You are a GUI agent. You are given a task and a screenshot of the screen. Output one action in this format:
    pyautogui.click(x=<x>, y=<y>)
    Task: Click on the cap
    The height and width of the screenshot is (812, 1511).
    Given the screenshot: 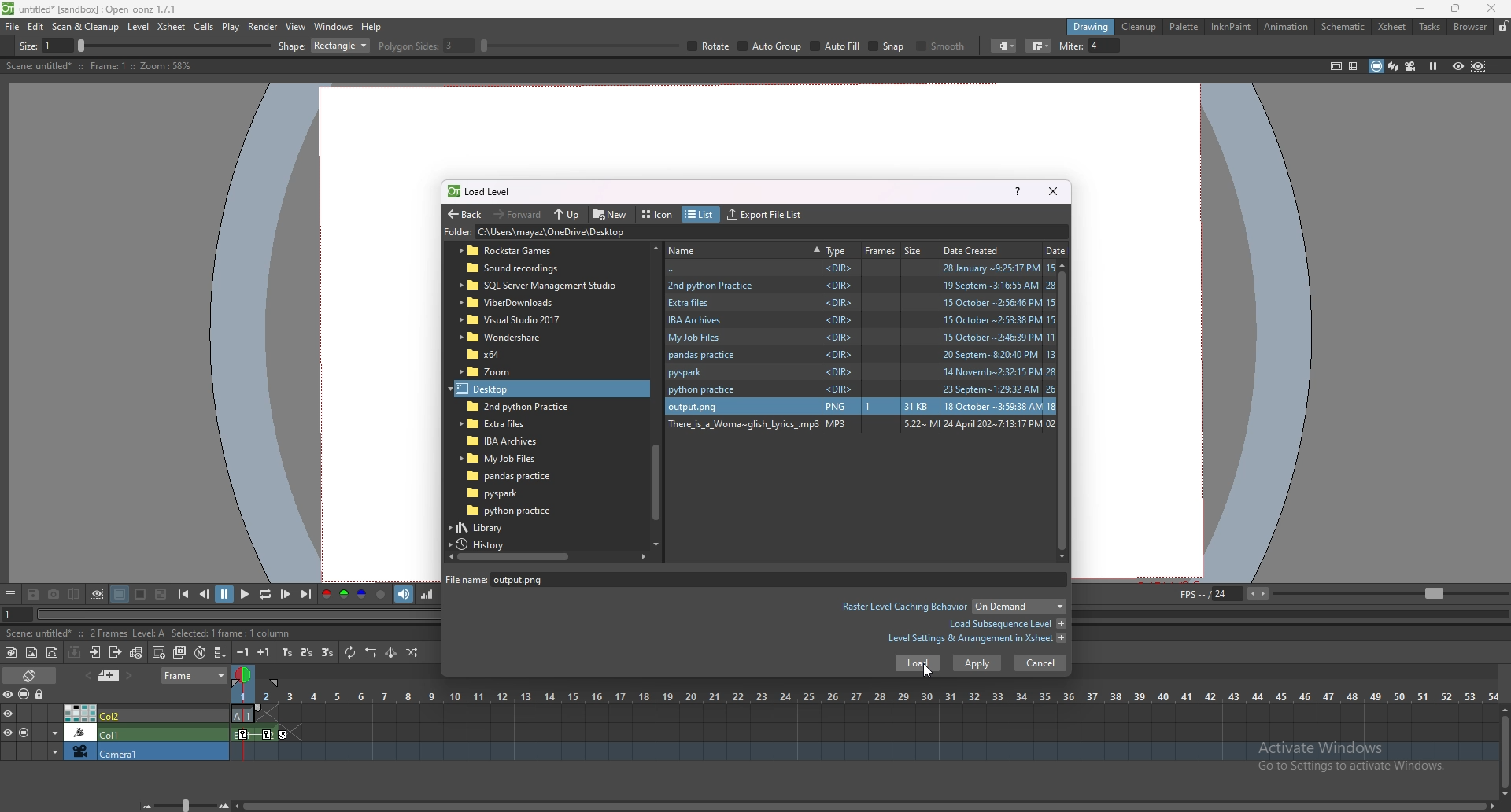 What is the action you would take?
    pyautogui.click(x=1278, y=46)
    